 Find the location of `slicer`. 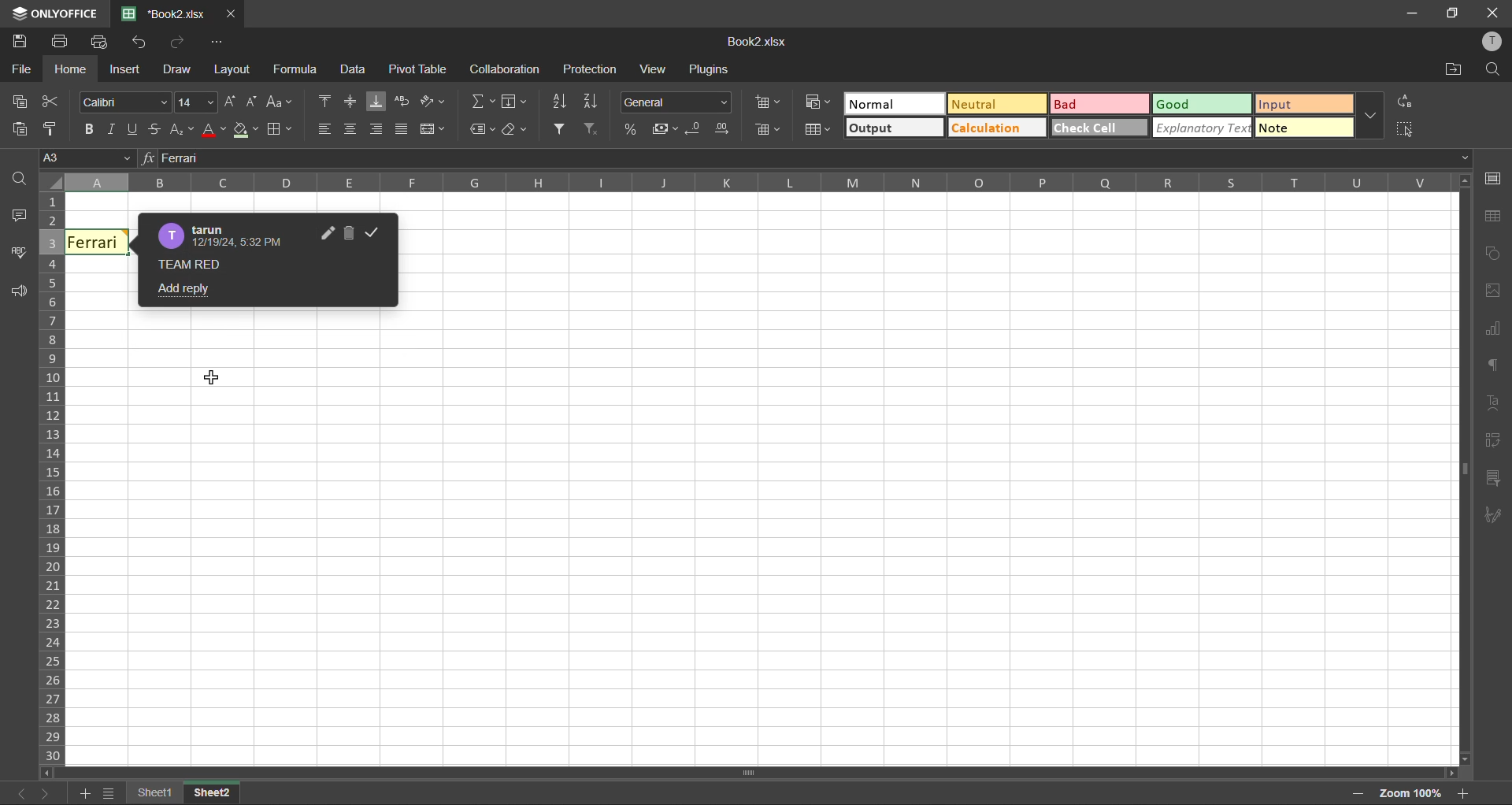

slicer is located at coordinates (1490, 480).